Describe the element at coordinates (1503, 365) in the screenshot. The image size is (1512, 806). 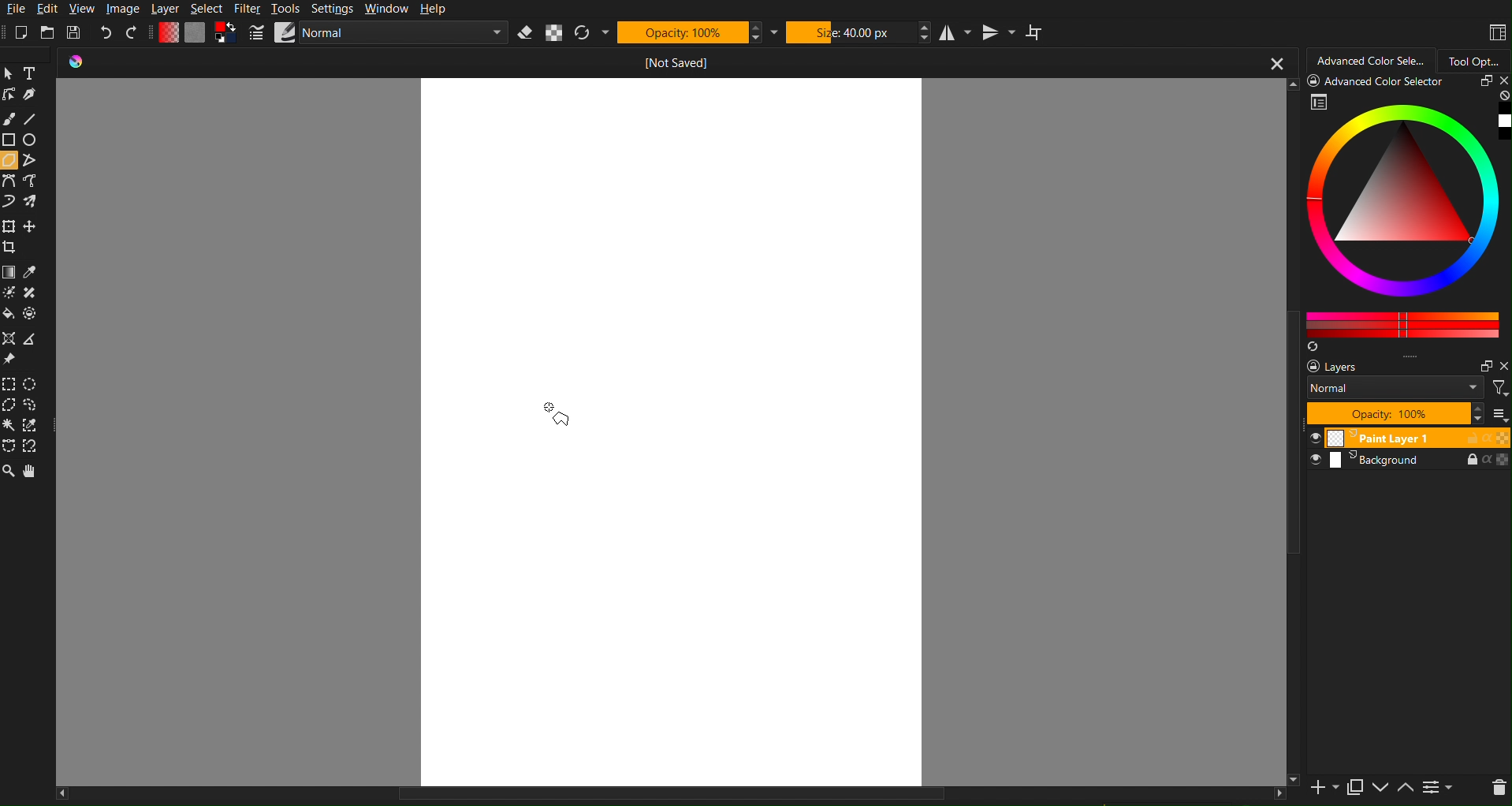
I see `close pane` at that location.